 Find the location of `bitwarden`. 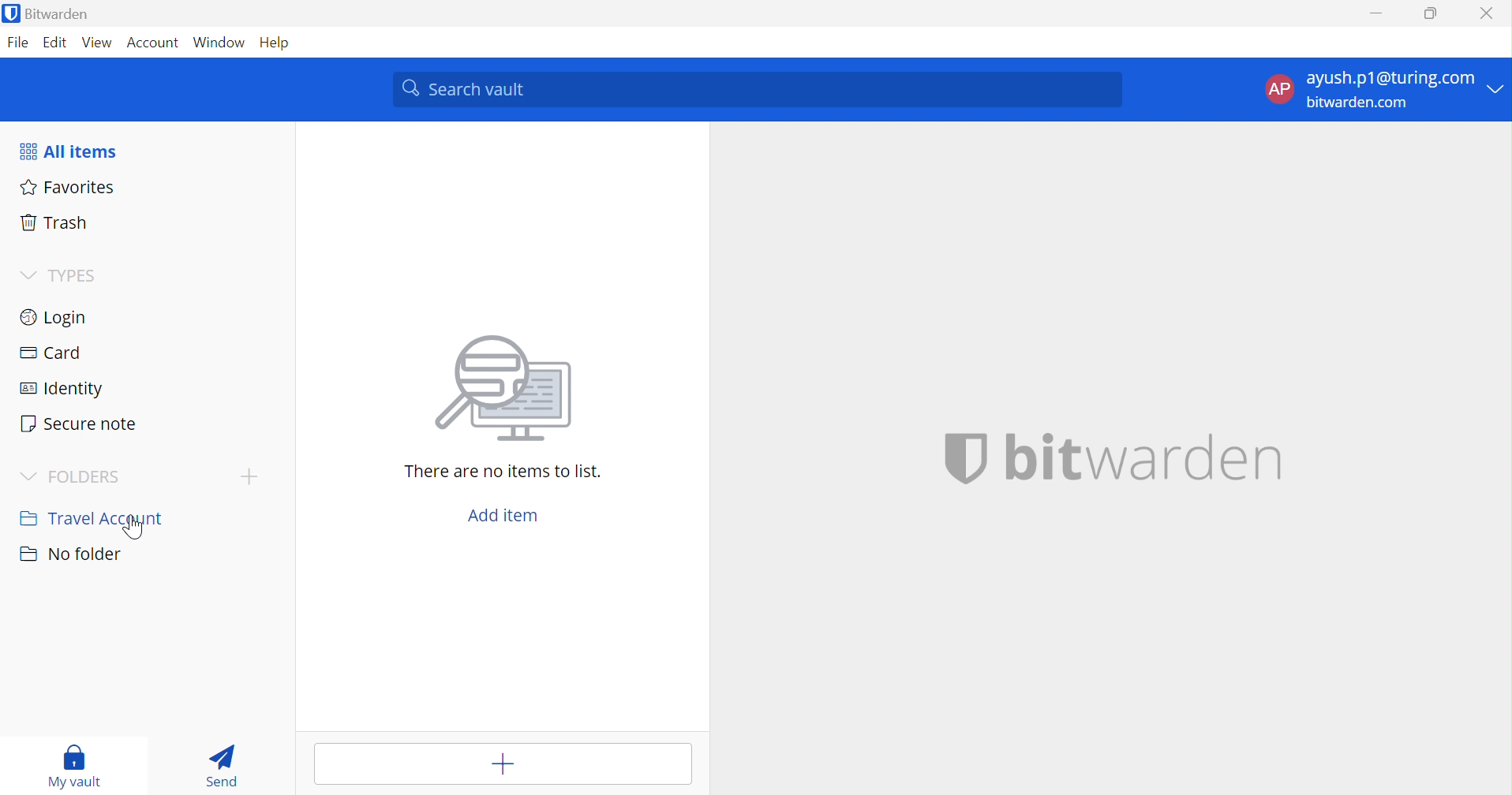

bitwarden is located at coordinates (1142, 457).